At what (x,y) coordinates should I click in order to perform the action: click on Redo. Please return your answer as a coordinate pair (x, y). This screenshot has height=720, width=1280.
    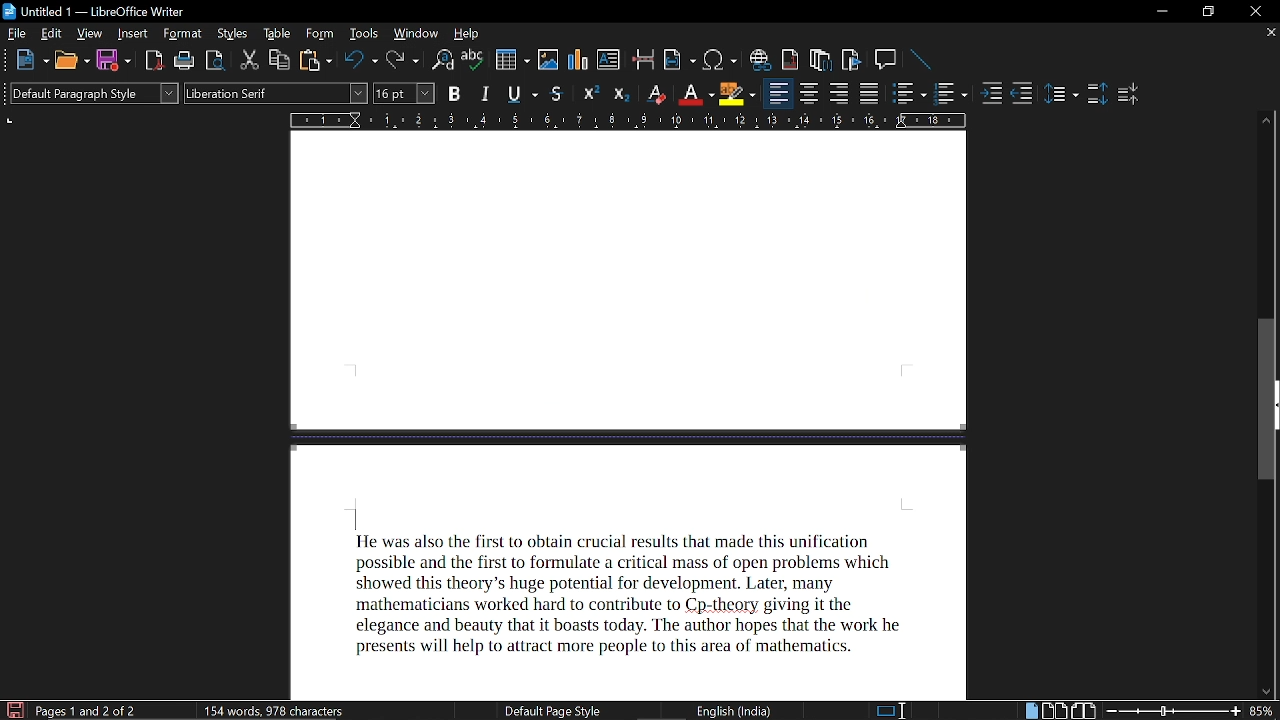
    Looking at the image, I should click on (405, 60).